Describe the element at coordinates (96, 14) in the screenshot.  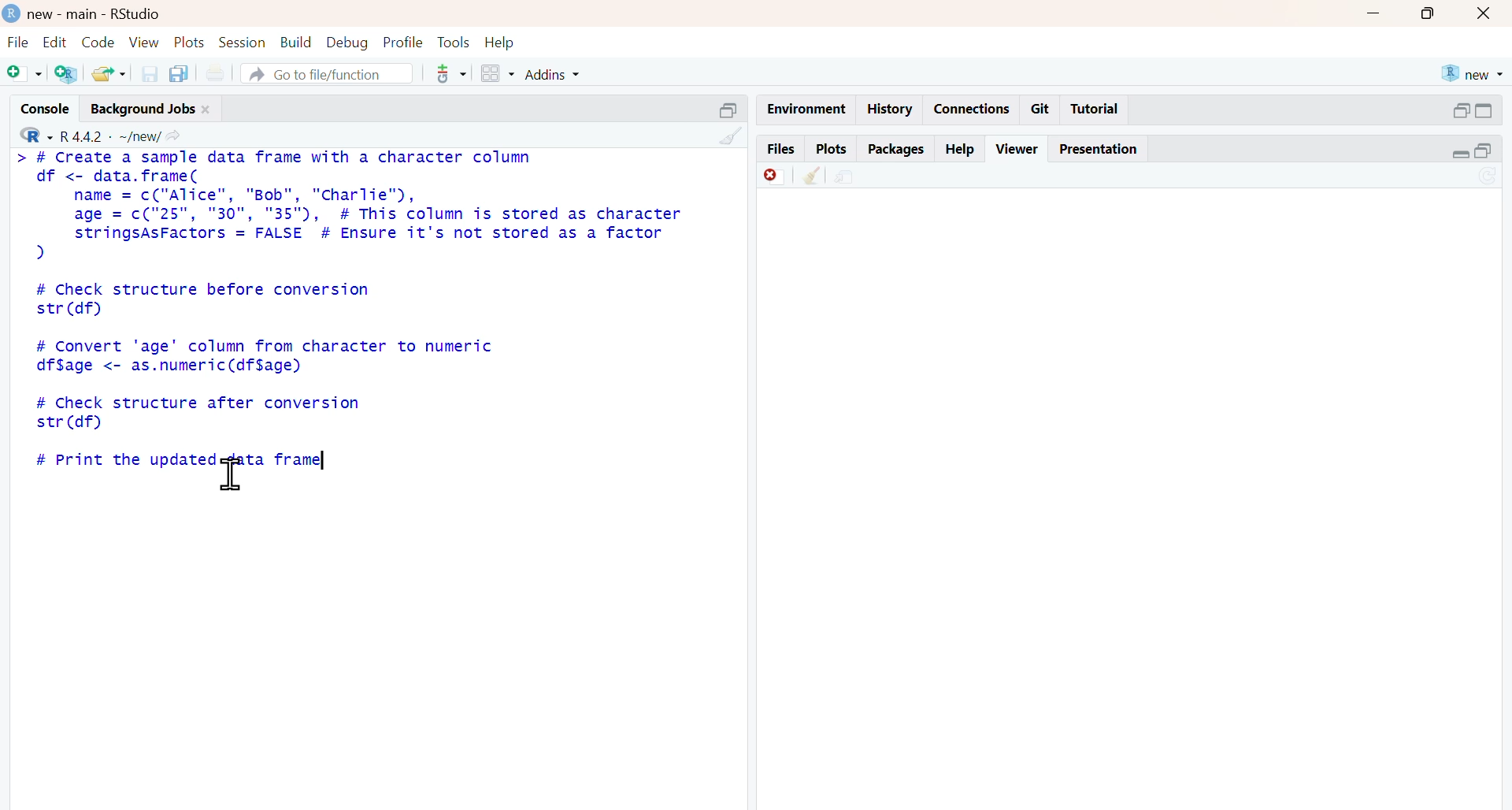
I see `new - main - RStudio` at that location.